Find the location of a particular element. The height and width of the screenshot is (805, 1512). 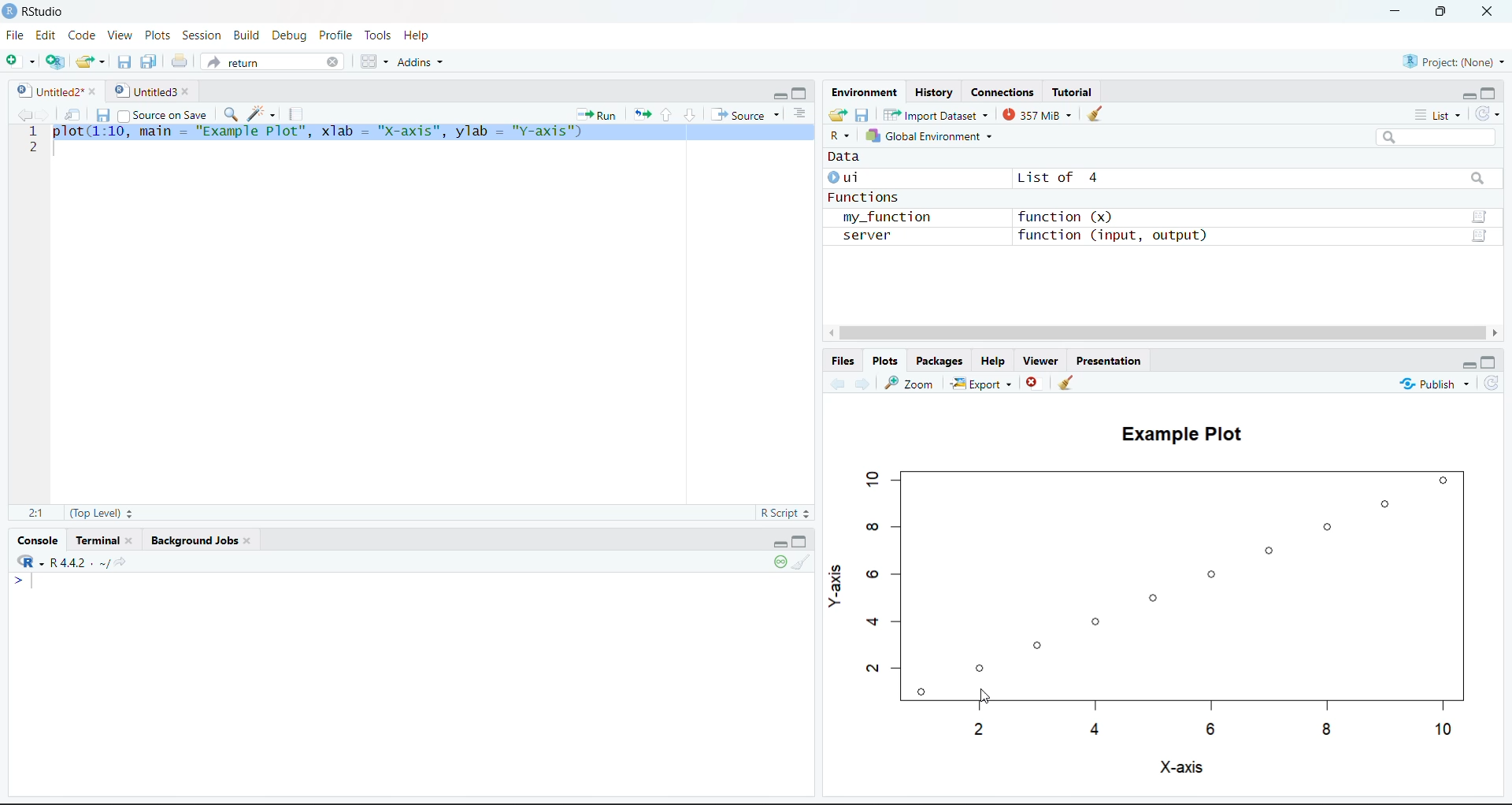

Import Dataset is located at coordinates (934, 114).